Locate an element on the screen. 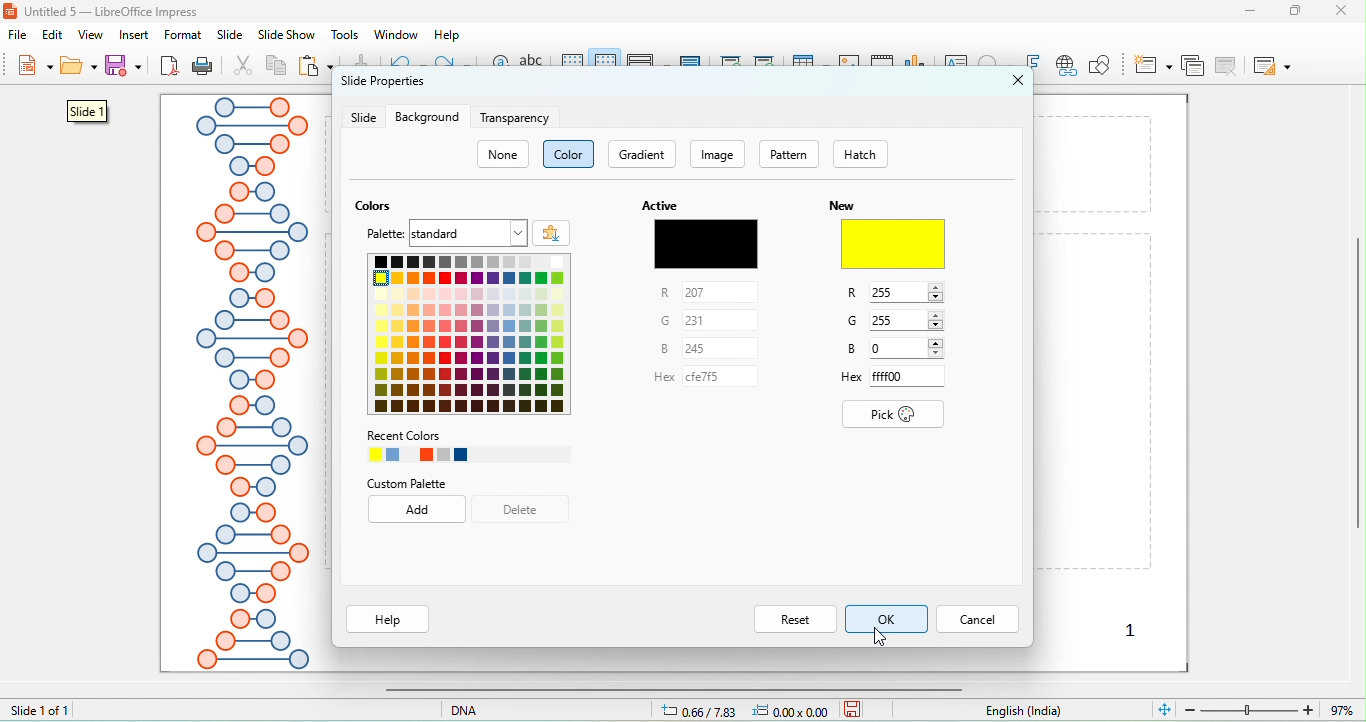  help is located at coordinates (448, 35).